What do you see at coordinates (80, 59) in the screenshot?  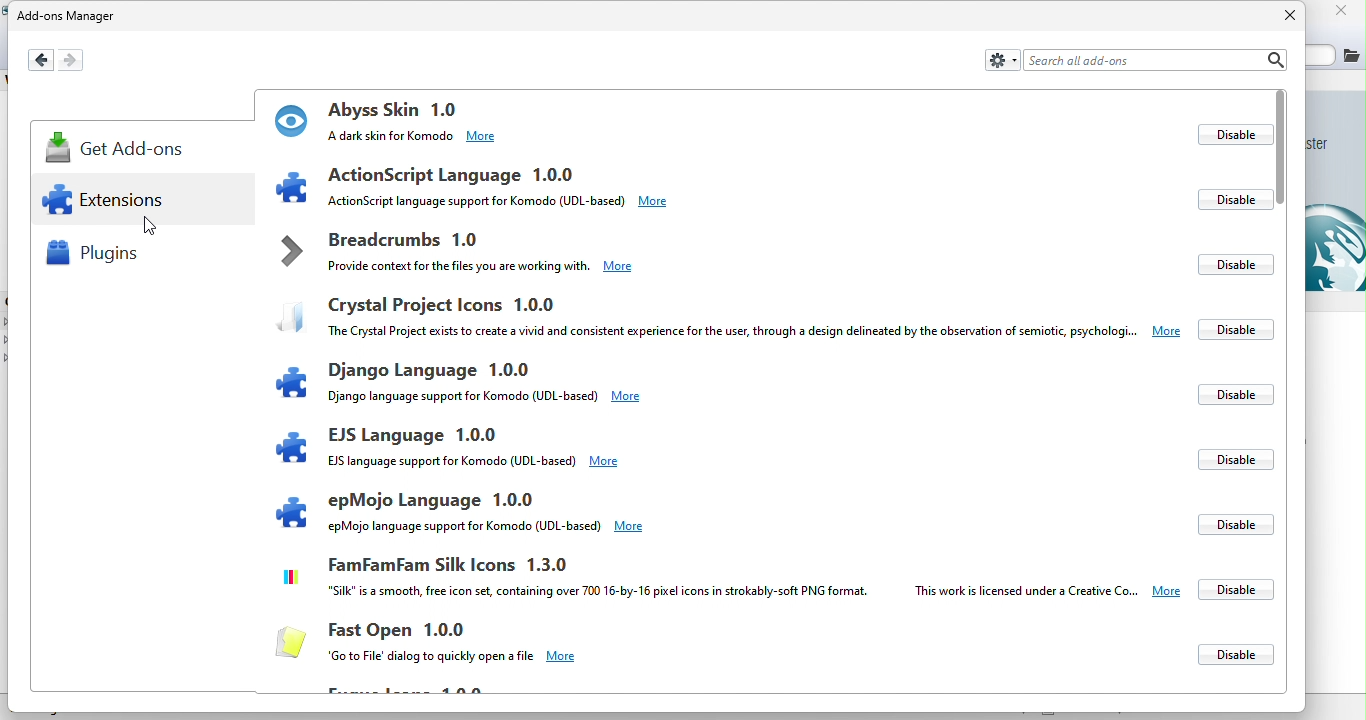 I see `next` at bounding box center [80, 59].